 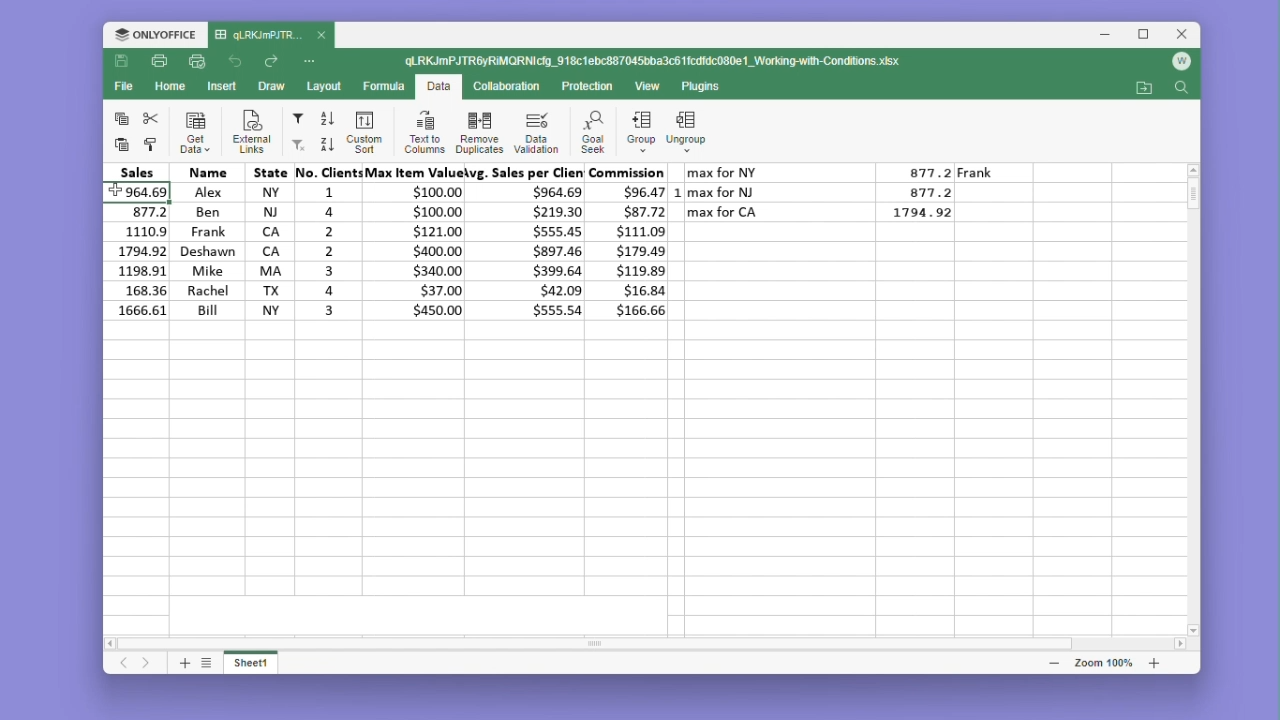 I want to click on add sheet, so click(x=183, y=662).